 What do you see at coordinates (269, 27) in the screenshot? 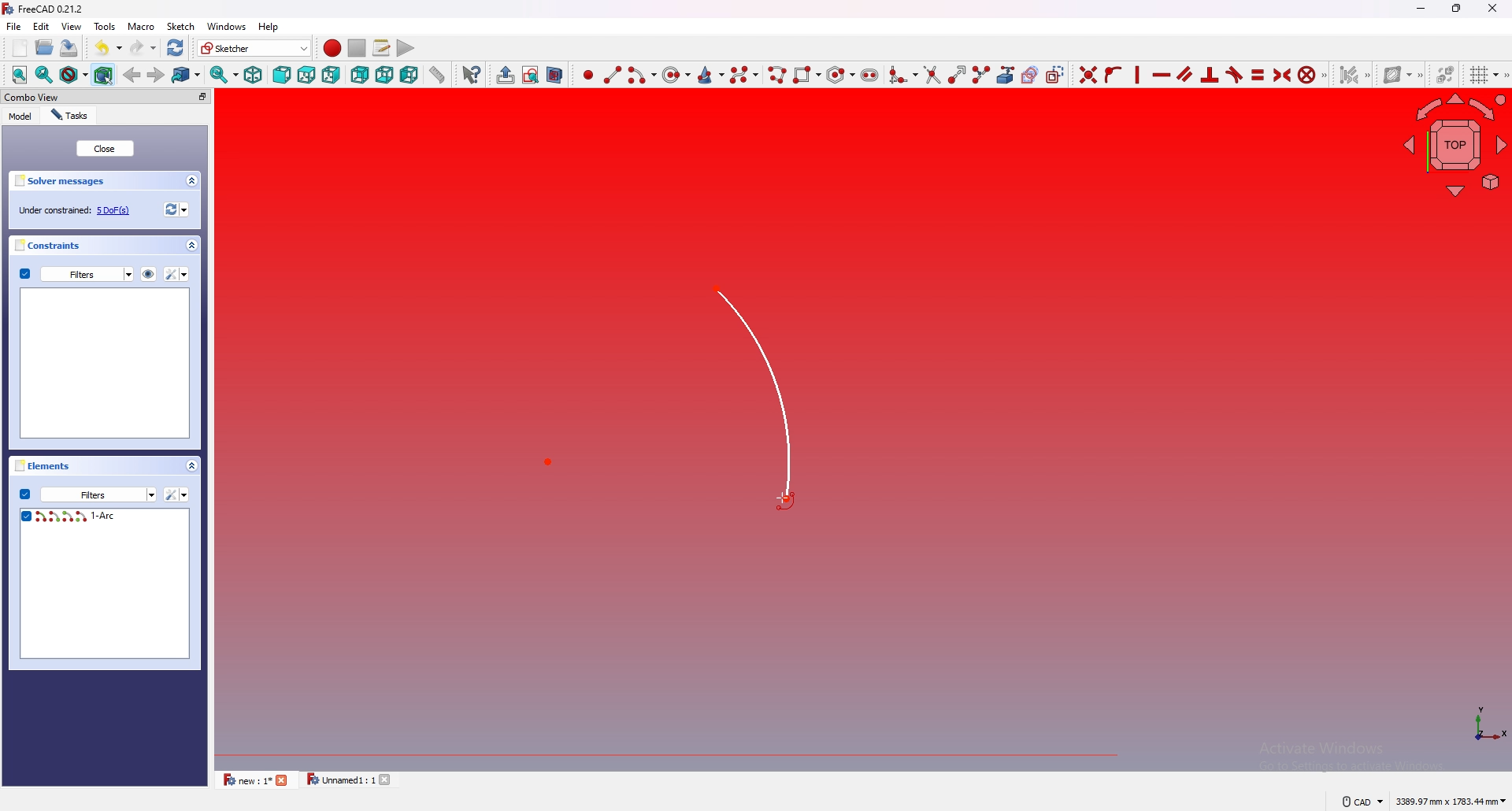
I see `help` at bounding box center [269, 27].